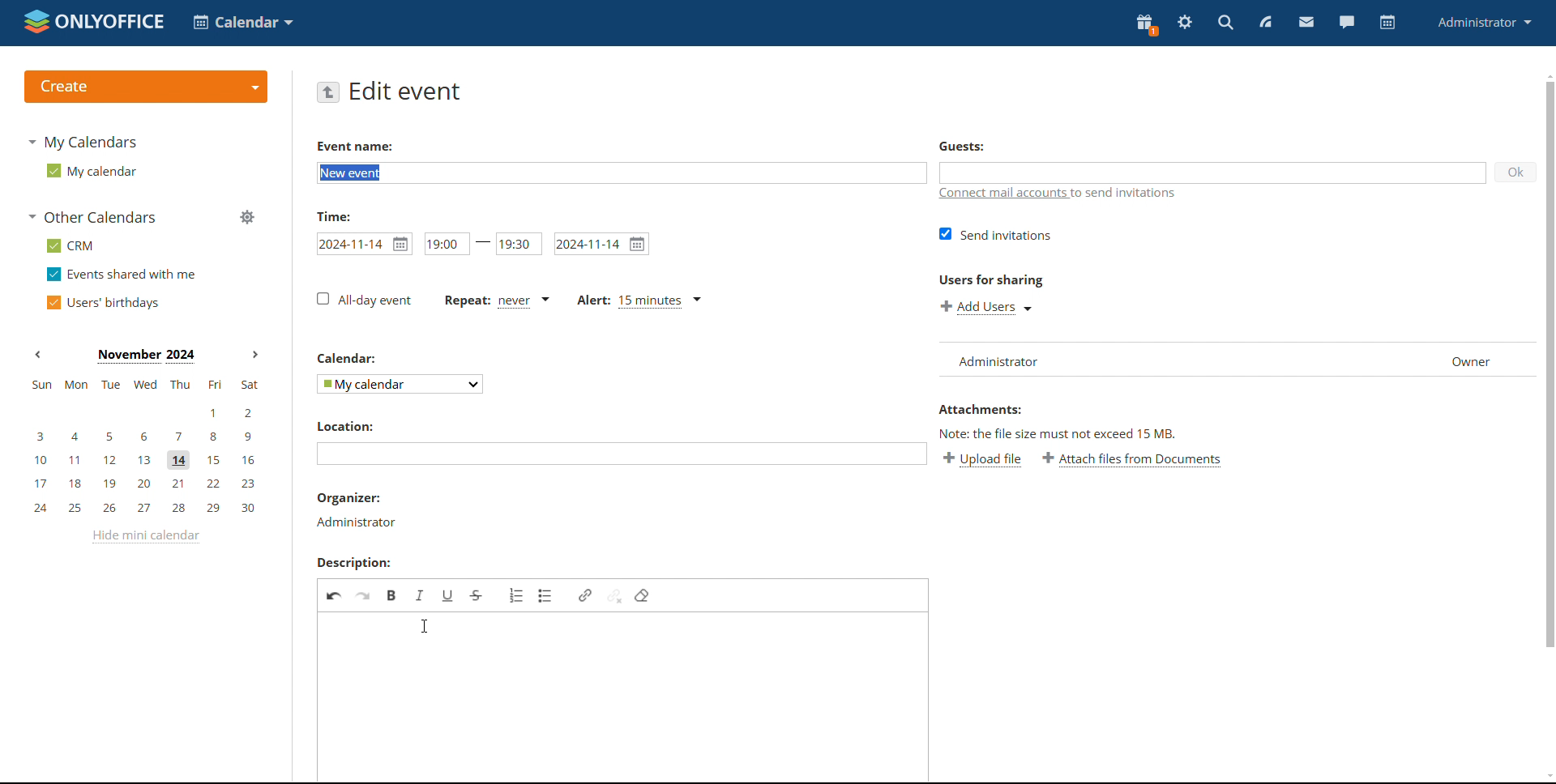  I want to click on scrollbar, so click(1550, 364).